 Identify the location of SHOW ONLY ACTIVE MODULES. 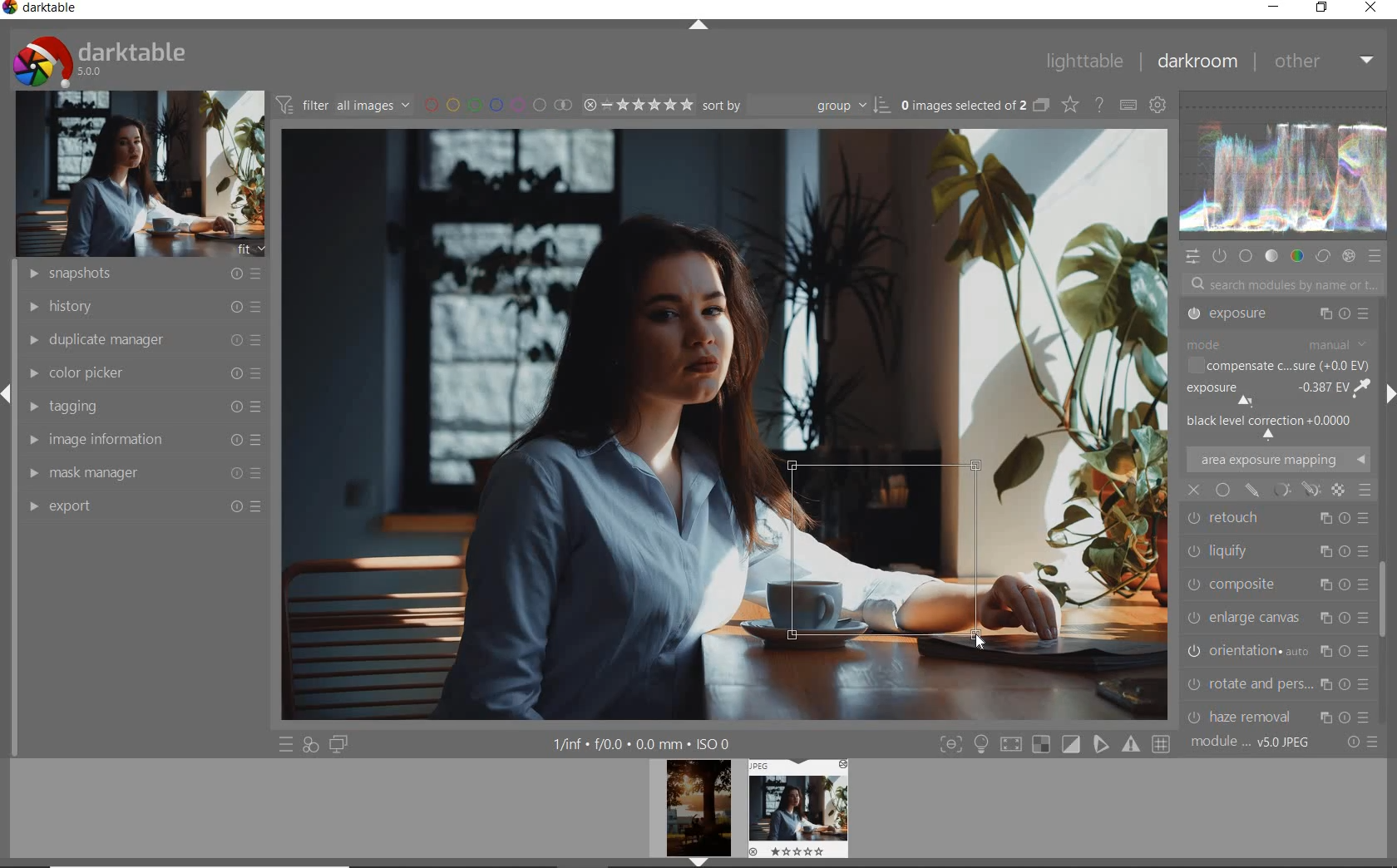
(1219, 257).